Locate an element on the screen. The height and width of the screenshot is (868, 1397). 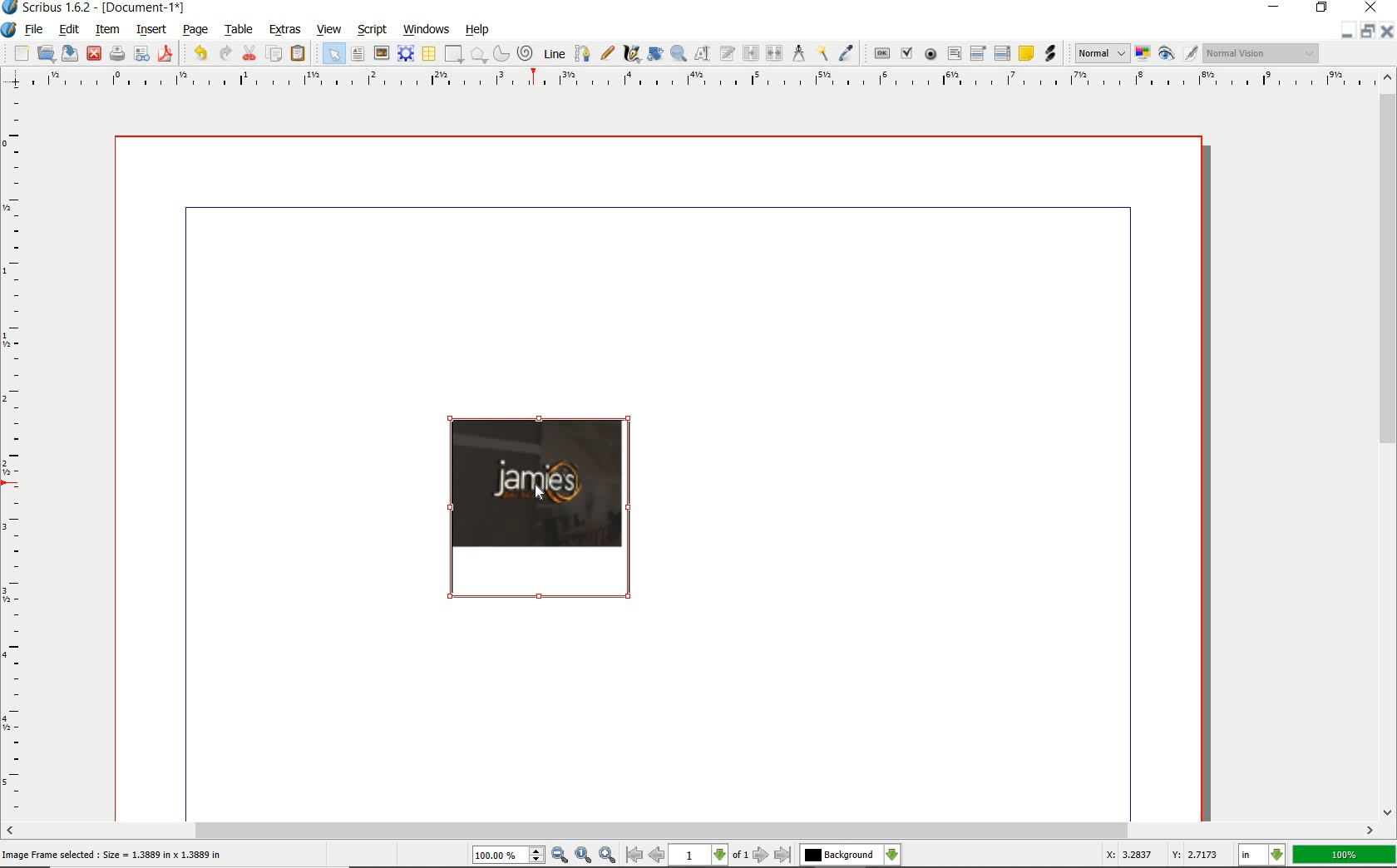
ARC is located at coordinates (501, 54).